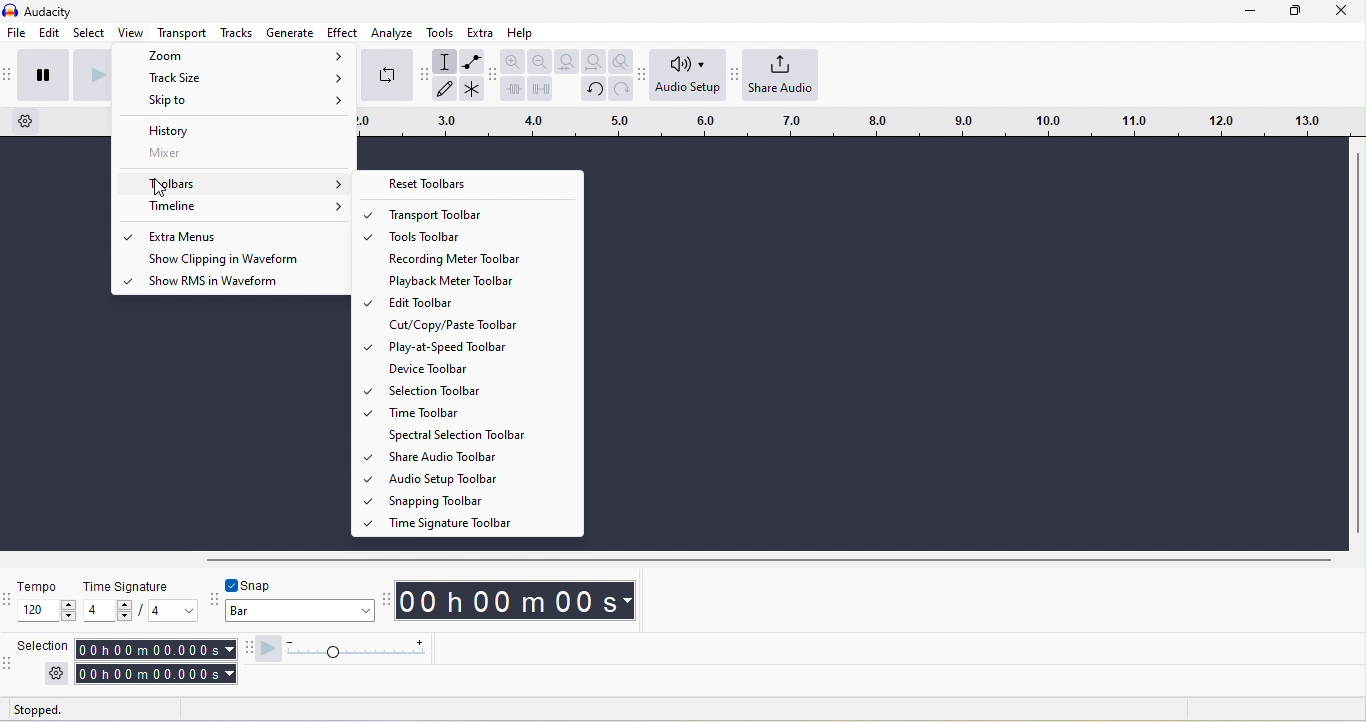 The image size is (1366, 722). I want to click on Device toolbar, so click(480, 369).